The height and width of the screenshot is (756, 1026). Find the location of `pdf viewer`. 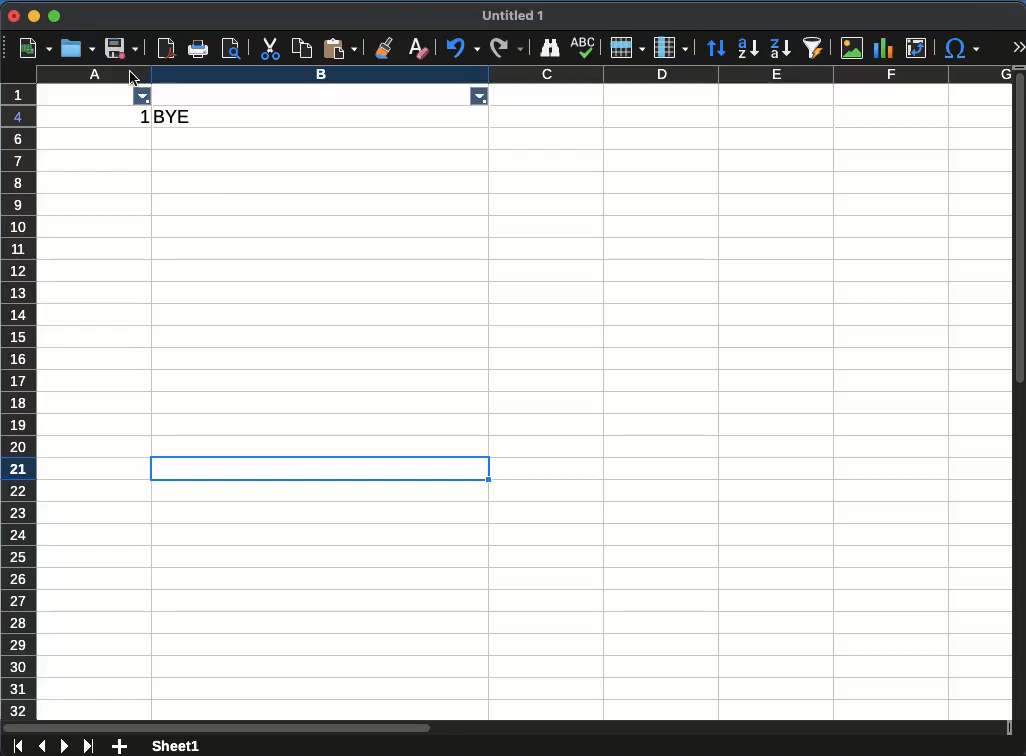

pdf viewer is located at coordinates (169, 48).